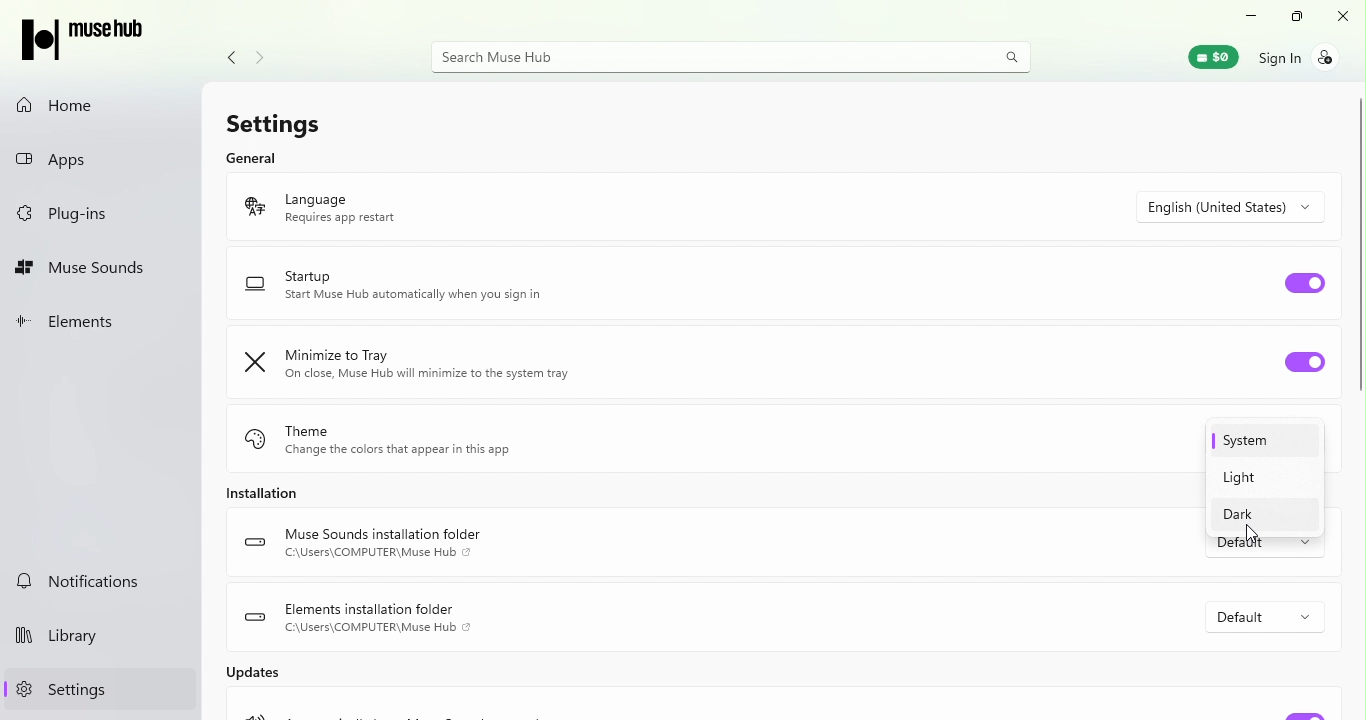  Describe the element at coordinates (1301, 361) in the screenshot. I see `Toggle minimize to tray` at that location.